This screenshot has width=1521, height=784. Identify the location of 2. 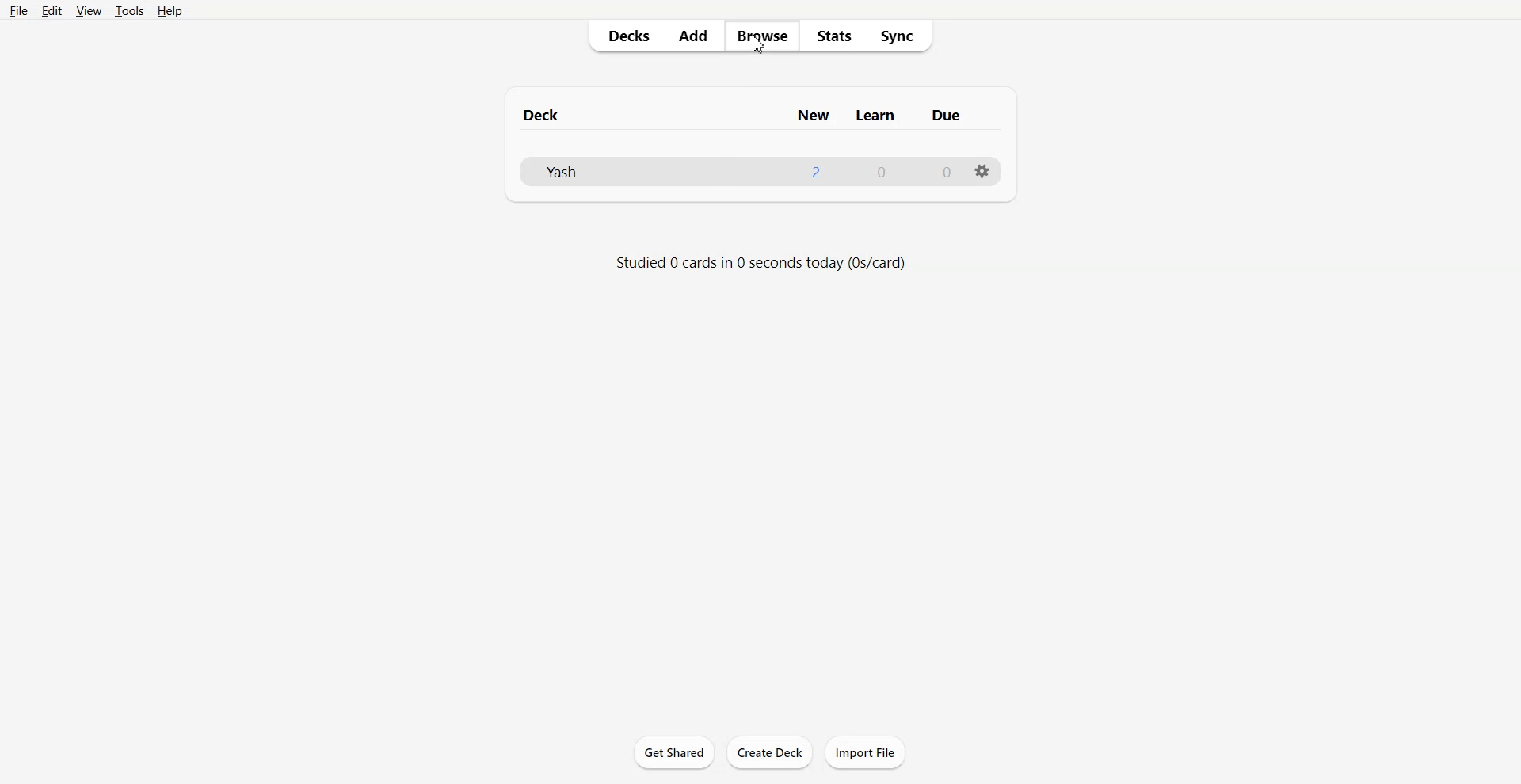
(812, 169).